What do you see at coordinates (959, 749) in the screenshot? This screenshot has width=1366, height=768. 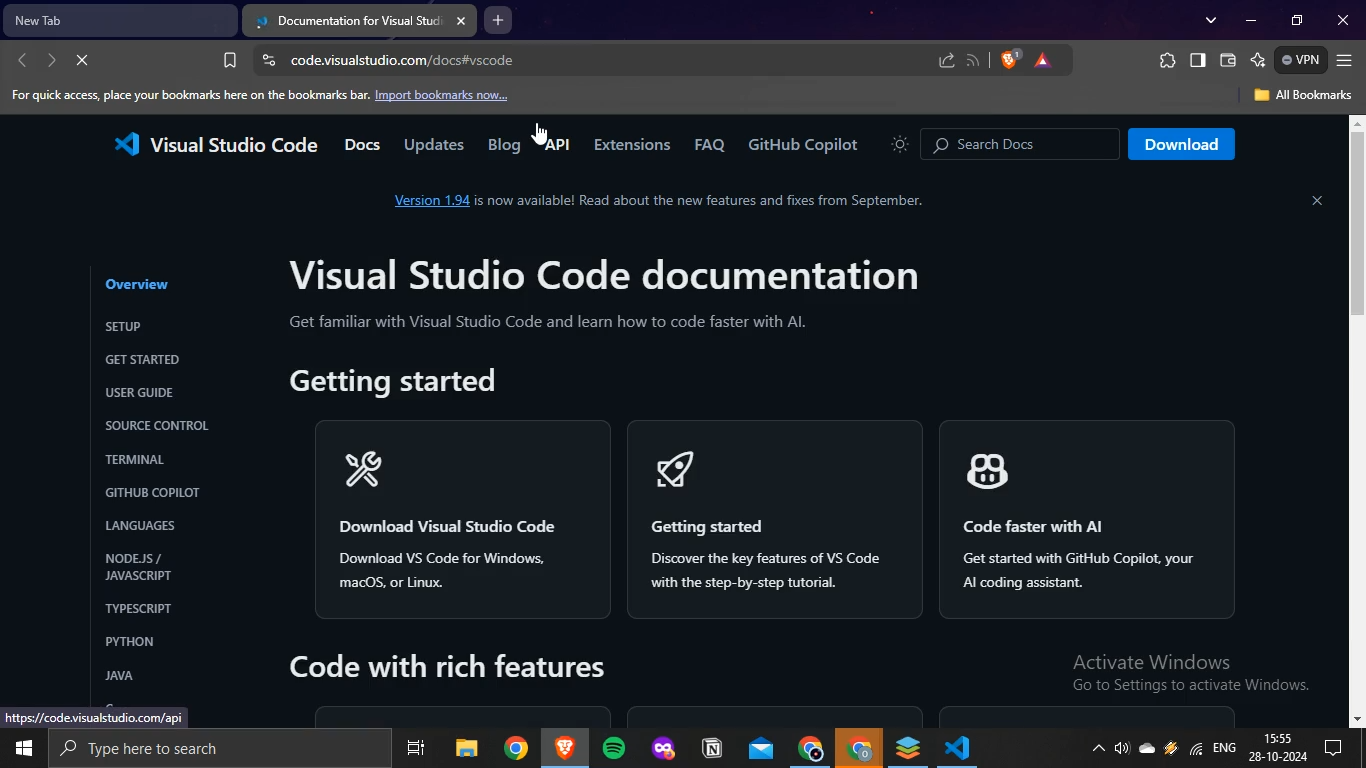 I see `VScode` at bounding box center [959, 749].